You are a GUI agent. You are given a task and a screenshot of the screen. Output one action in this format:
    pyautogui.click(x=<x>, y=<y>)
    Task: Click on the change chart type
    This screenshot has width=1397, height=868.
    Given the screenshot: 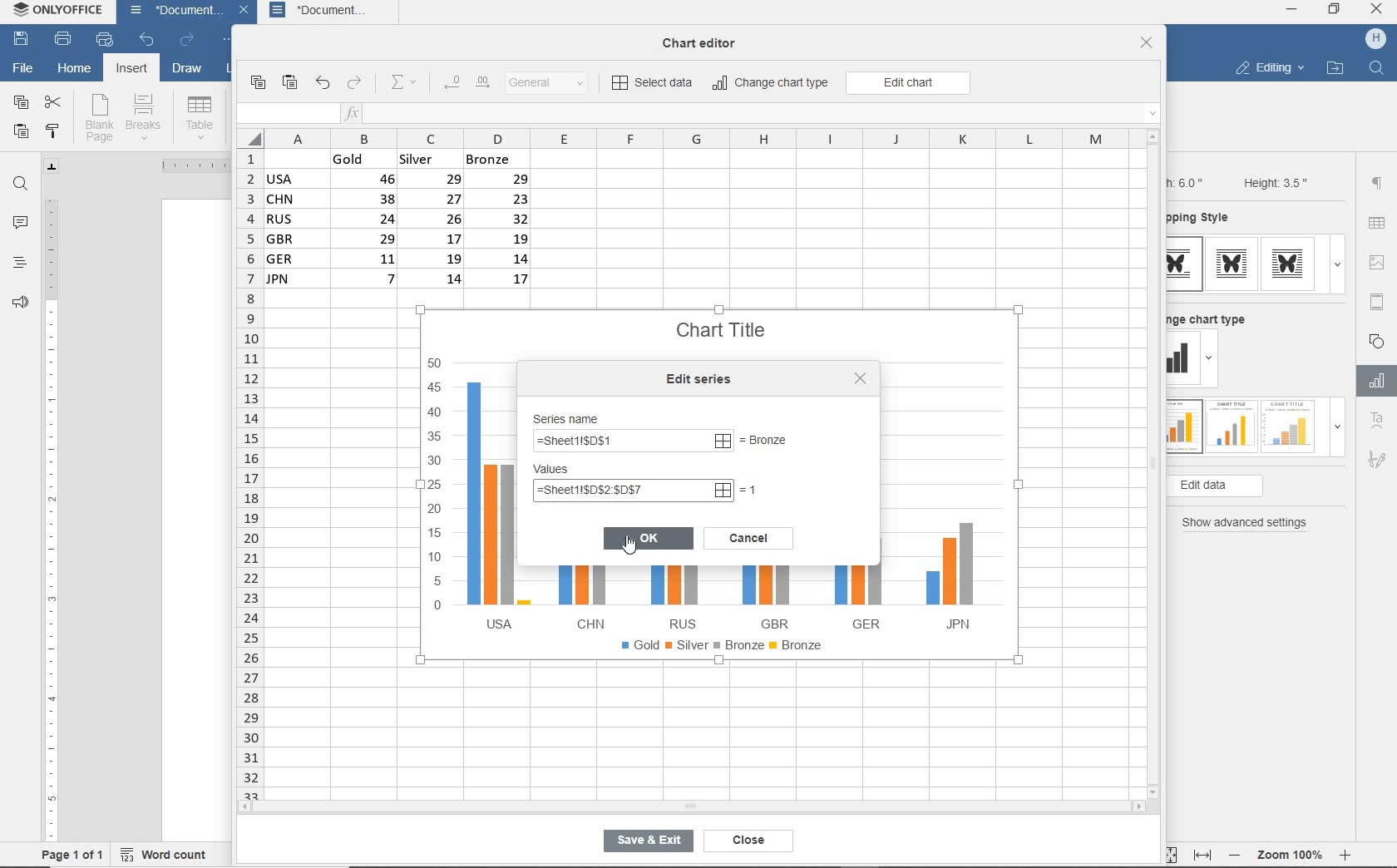 What is the action you would take?
    pyautogui.click(x=772, y=84)
    